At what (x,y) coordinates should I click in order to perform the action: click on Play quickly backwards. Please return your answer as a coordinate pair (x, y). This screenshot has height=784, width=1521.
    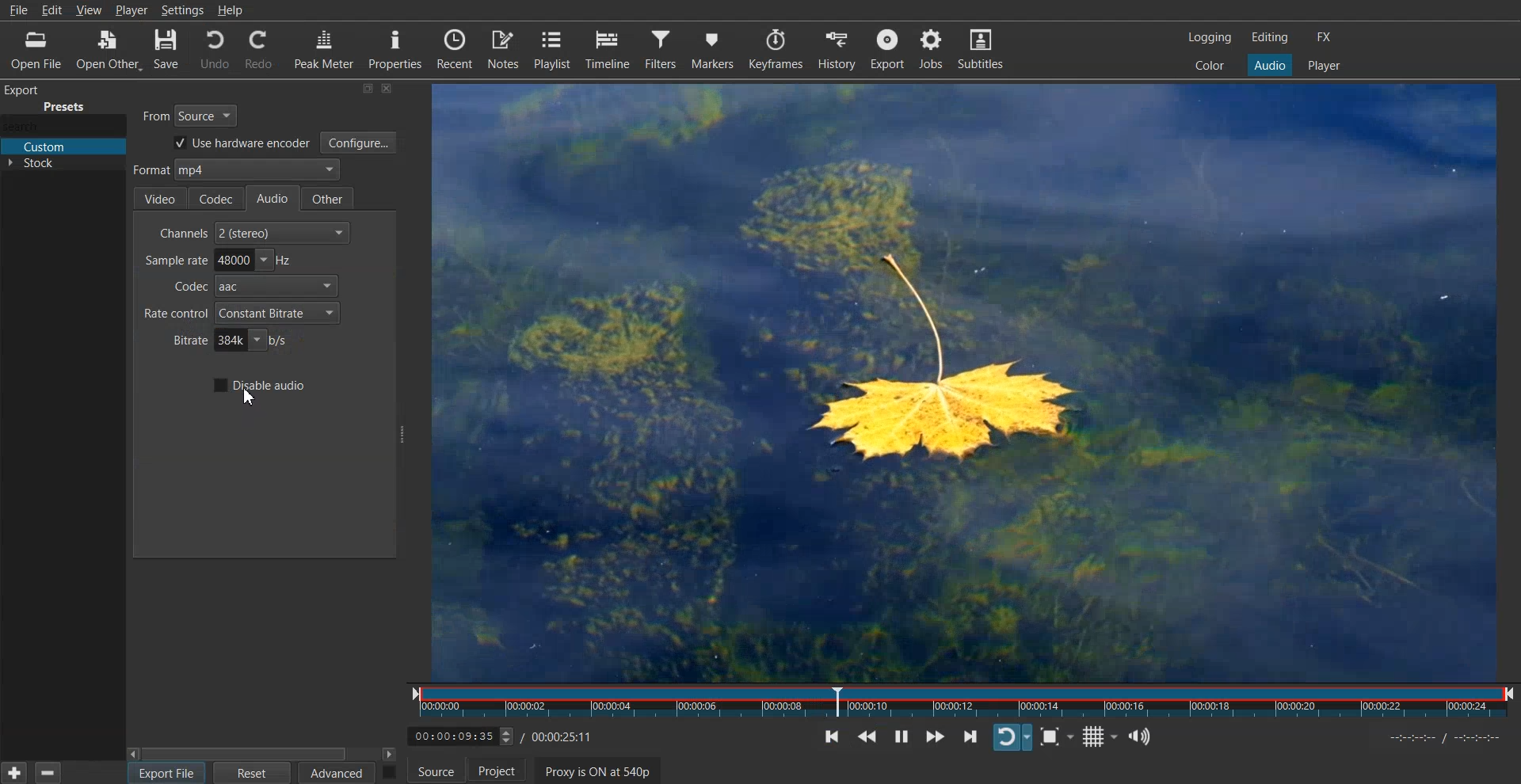
    Looking at the image, I should click on (874, 736).